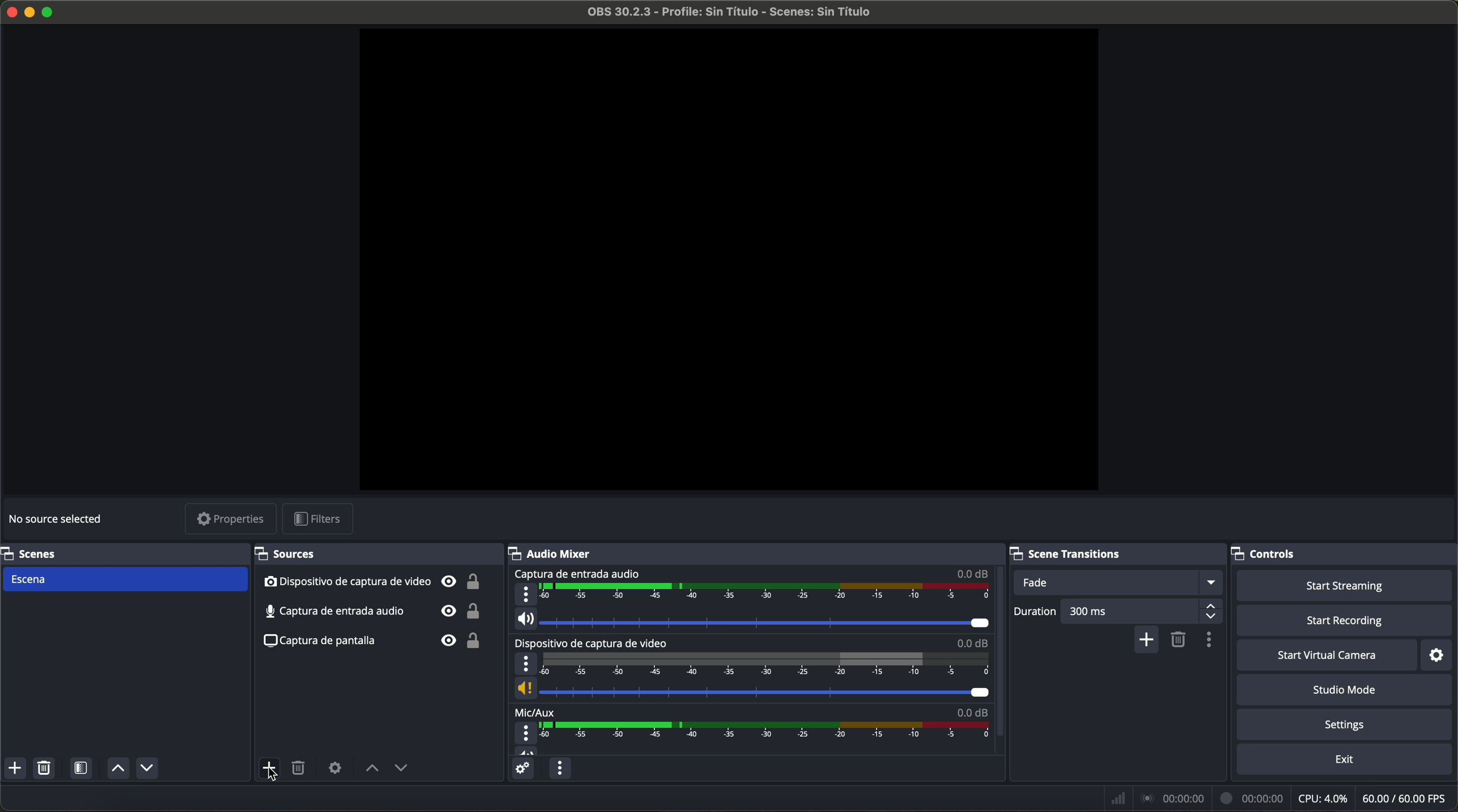  What do you see at coordinates (1116, 582) in the screenshot?
I see `fade` at bounding box center [1116, 582].